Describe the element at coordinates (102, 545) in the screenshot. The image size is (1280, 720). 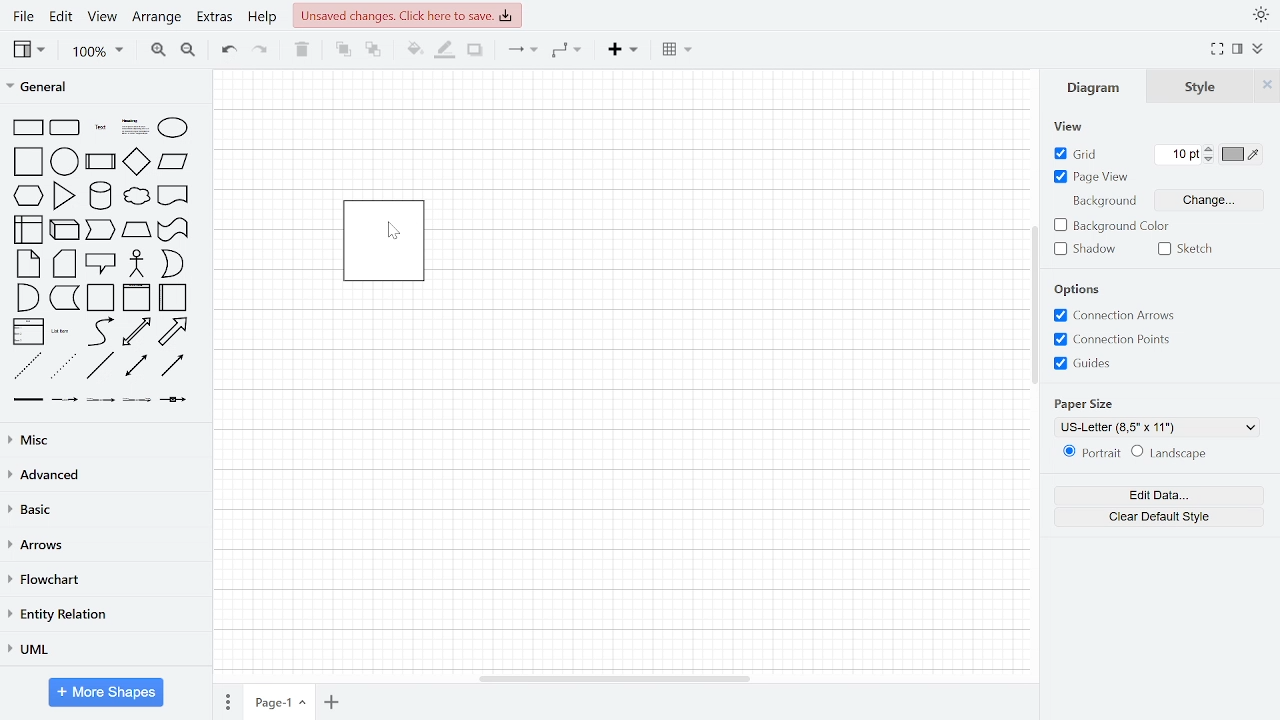
I see `arrows` at that location.